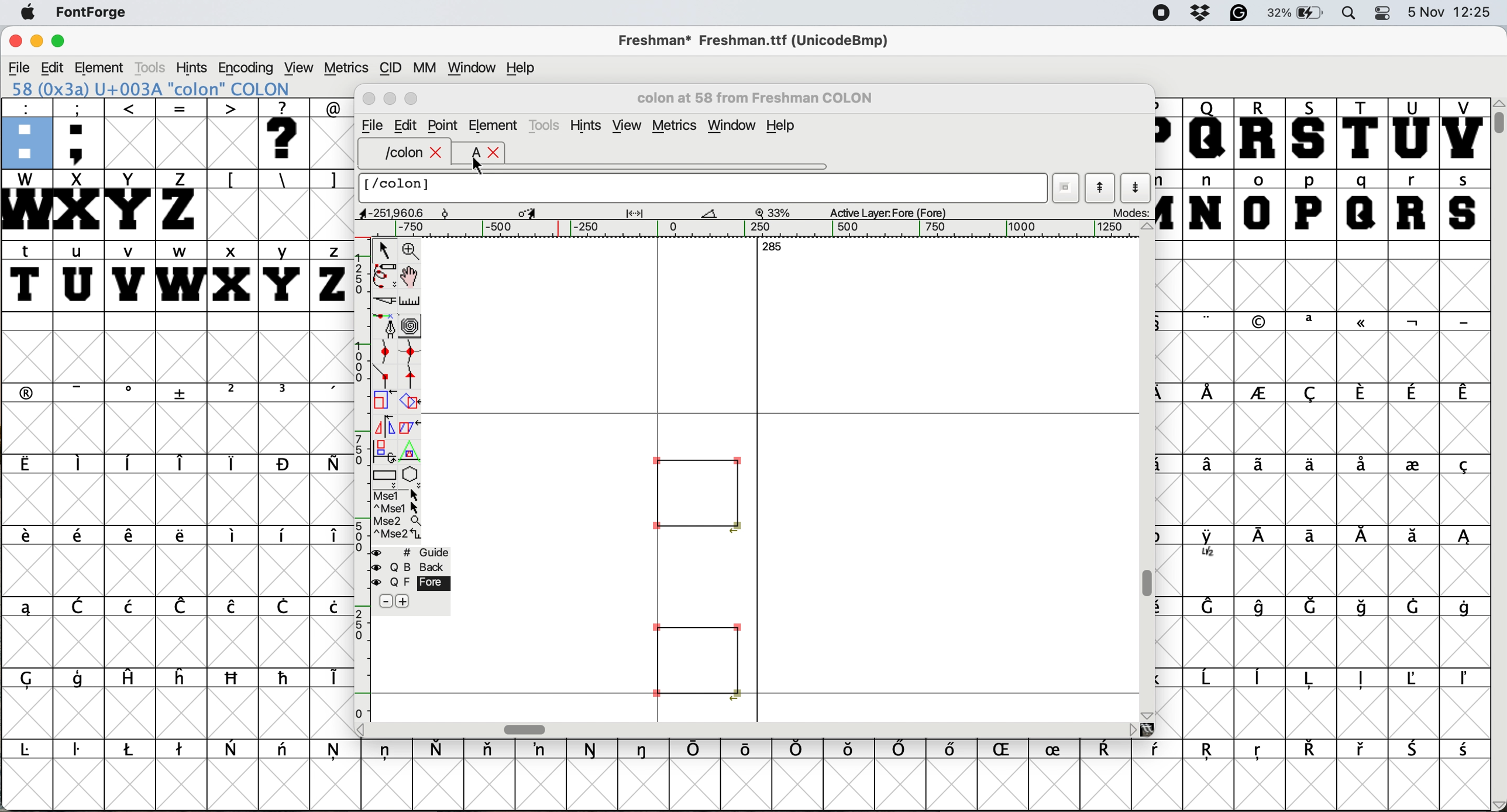  Describe the element at coordinates (1210, 545) in the screenshot. I see `symbol` at that location.